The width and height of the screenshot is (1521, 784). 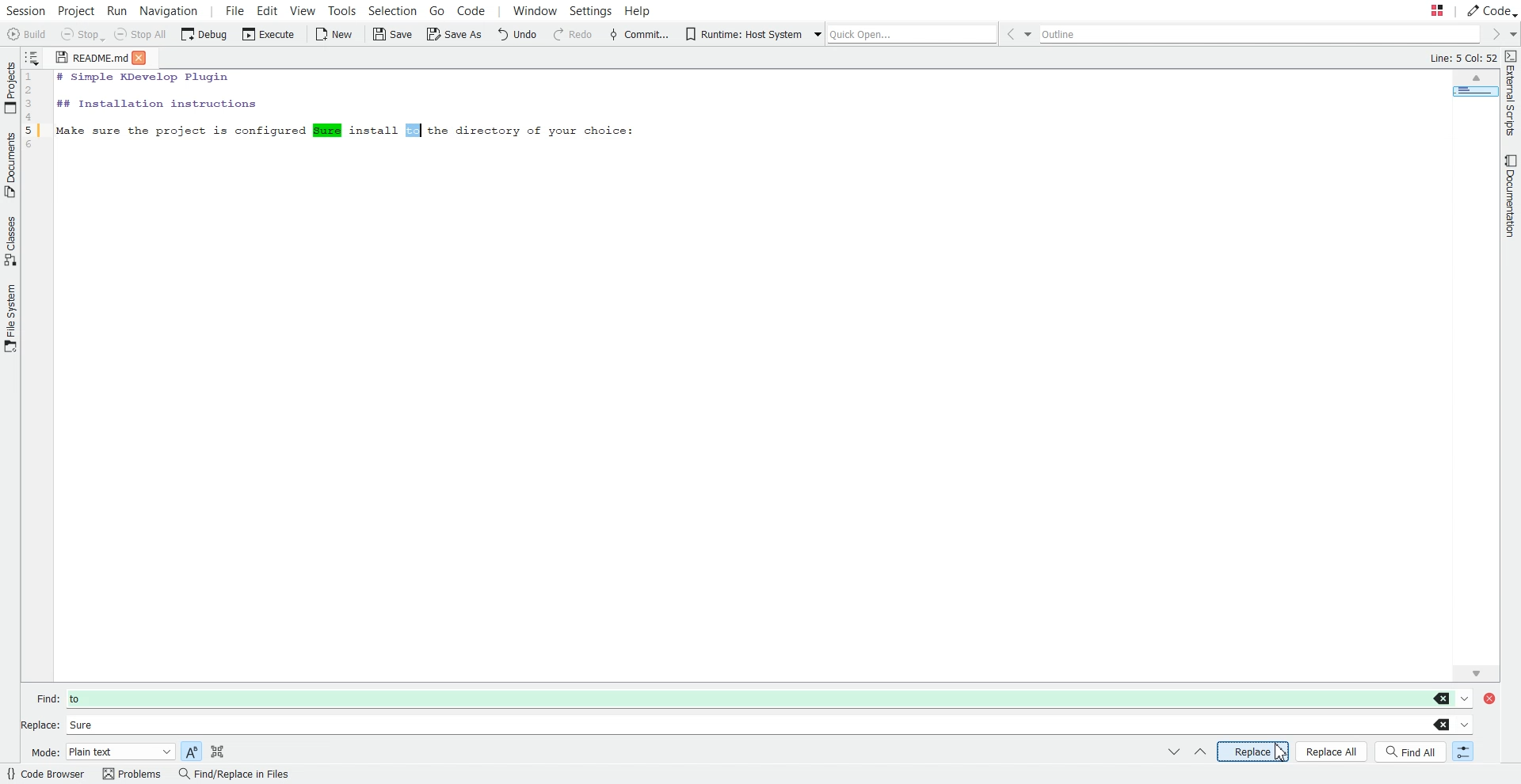 I want to click on Quick Open, so click(x=902, y=32).